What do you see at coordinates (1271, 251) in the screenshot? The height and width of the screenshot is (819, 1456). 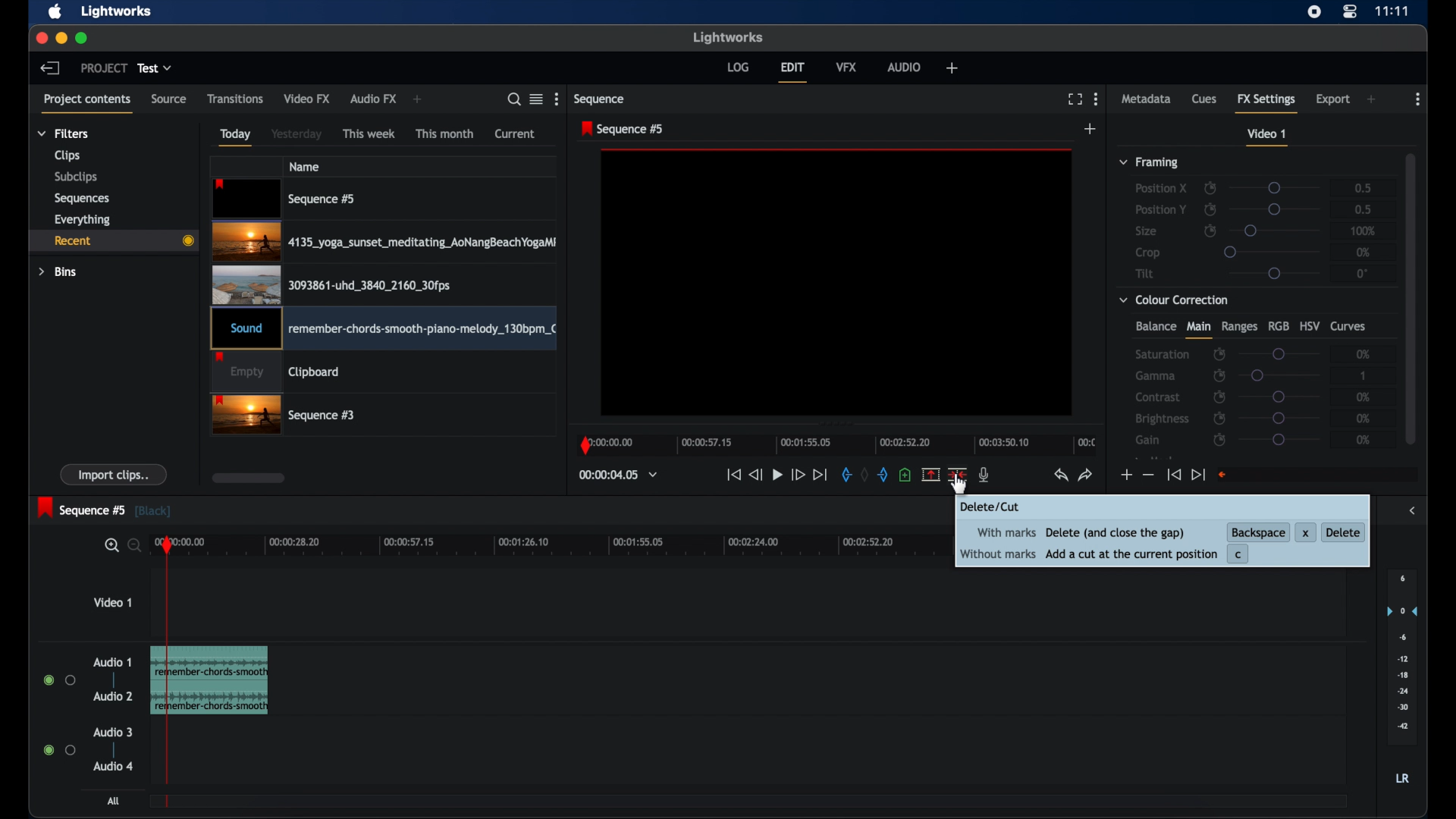 I see `slider` at bounding box center [1271, 251].